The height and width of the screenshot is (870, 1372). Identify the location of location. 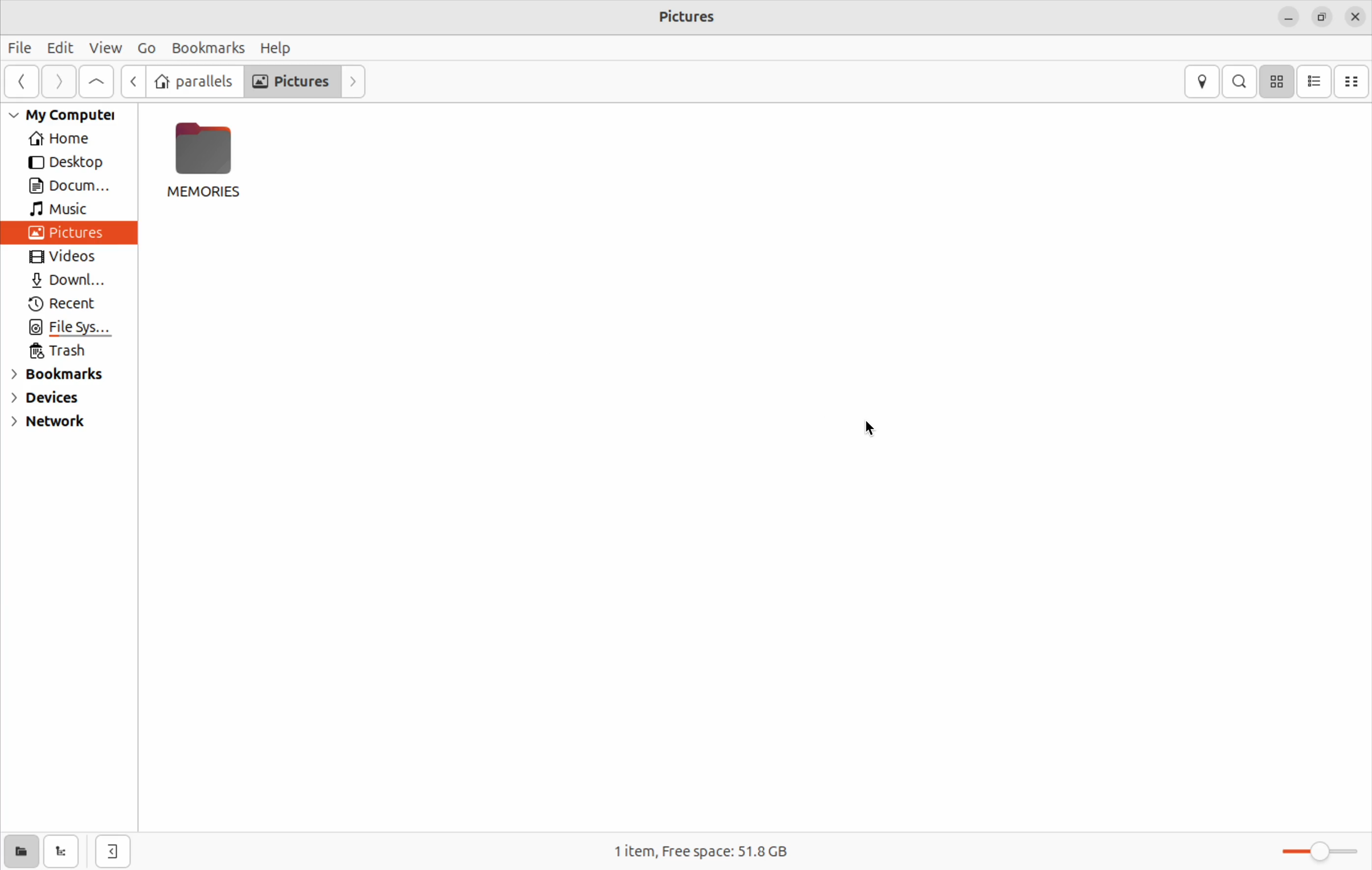
(1203, 80).